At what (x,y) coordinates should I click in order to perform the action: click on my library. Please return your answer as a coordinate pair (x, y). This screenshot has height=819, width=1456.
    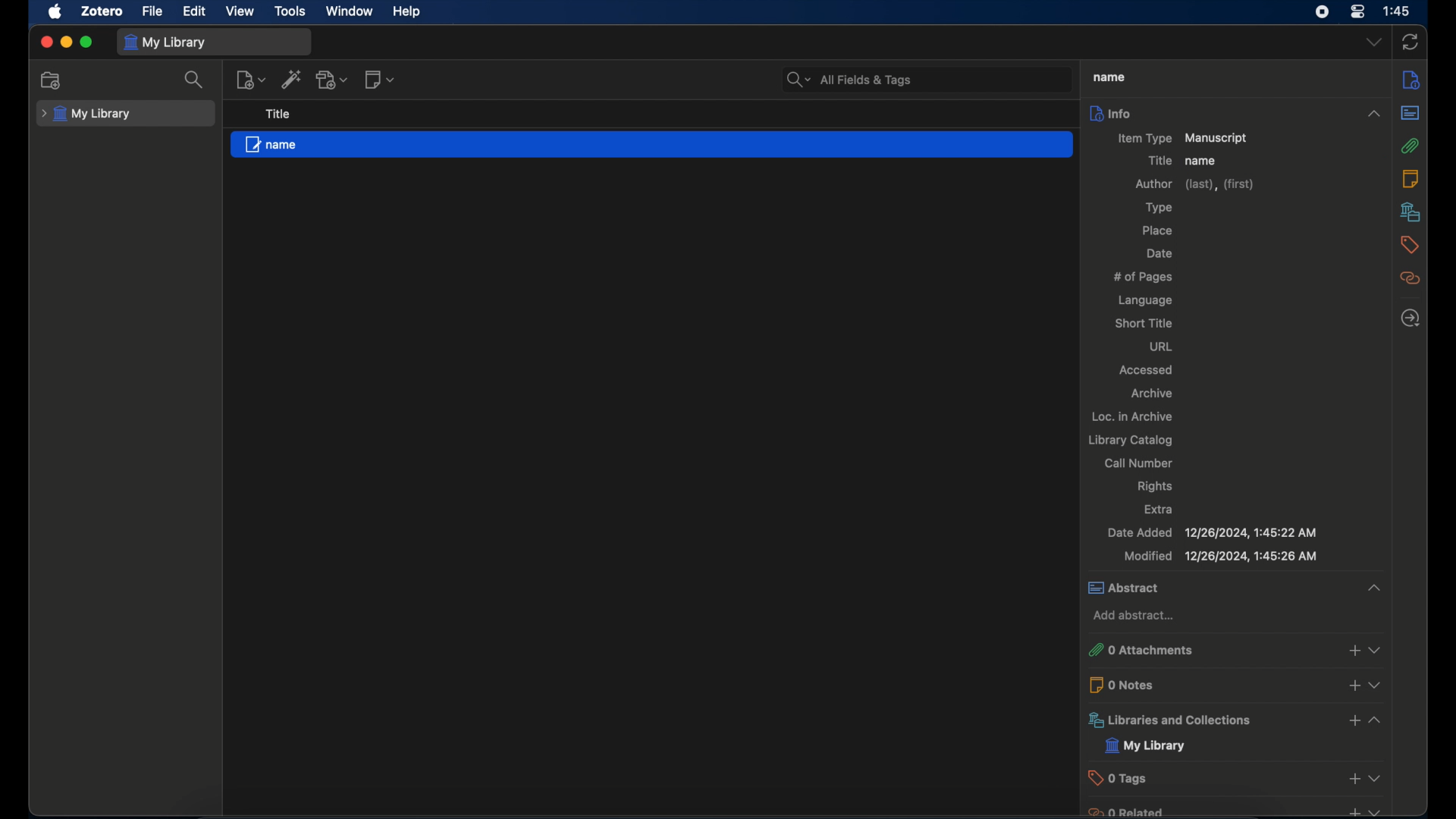
    Looking at the image, I should click on (1145, 746).